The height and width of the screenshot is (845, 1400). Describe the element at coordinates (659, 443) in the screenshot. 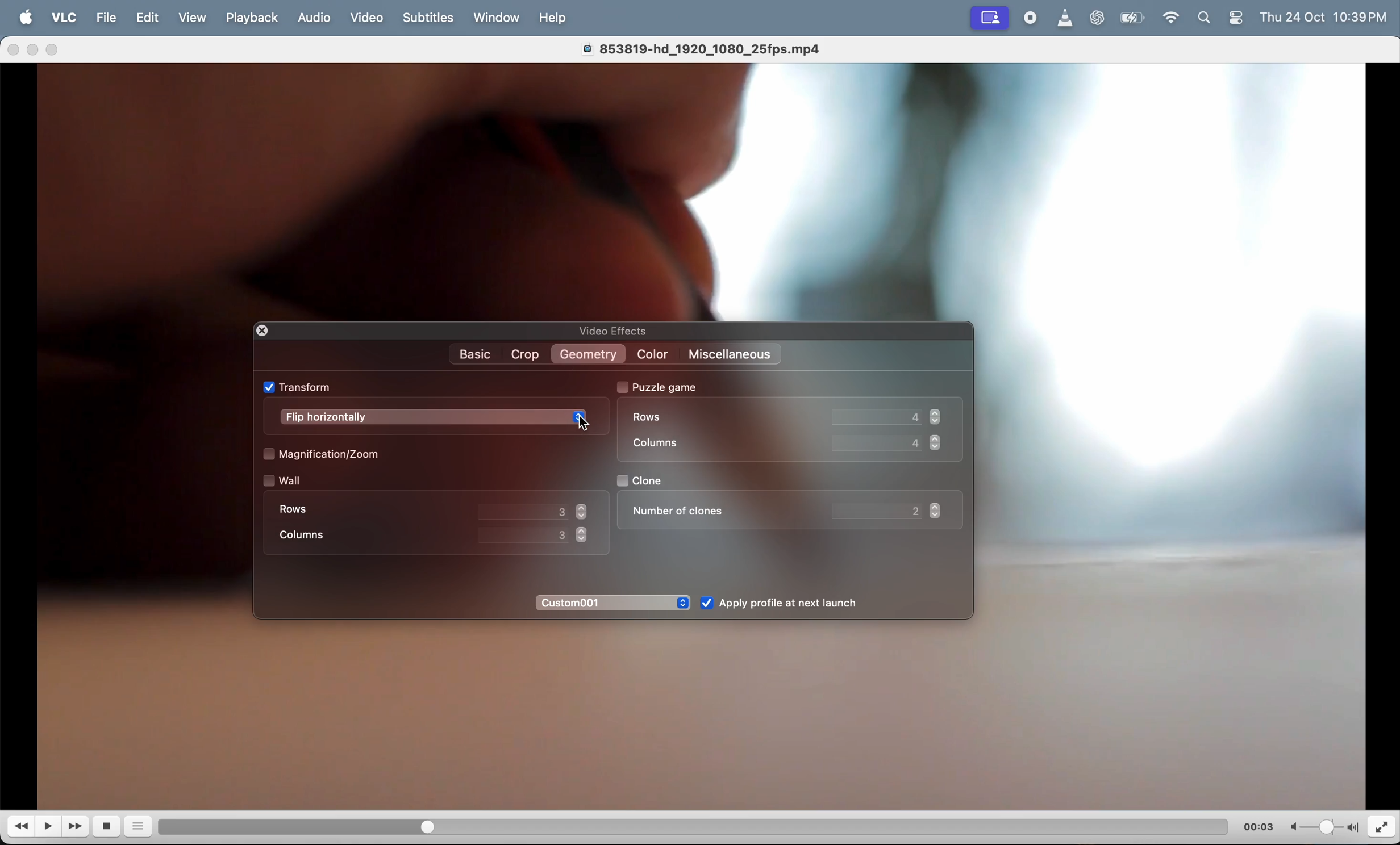

I see `coloumn` at that location.